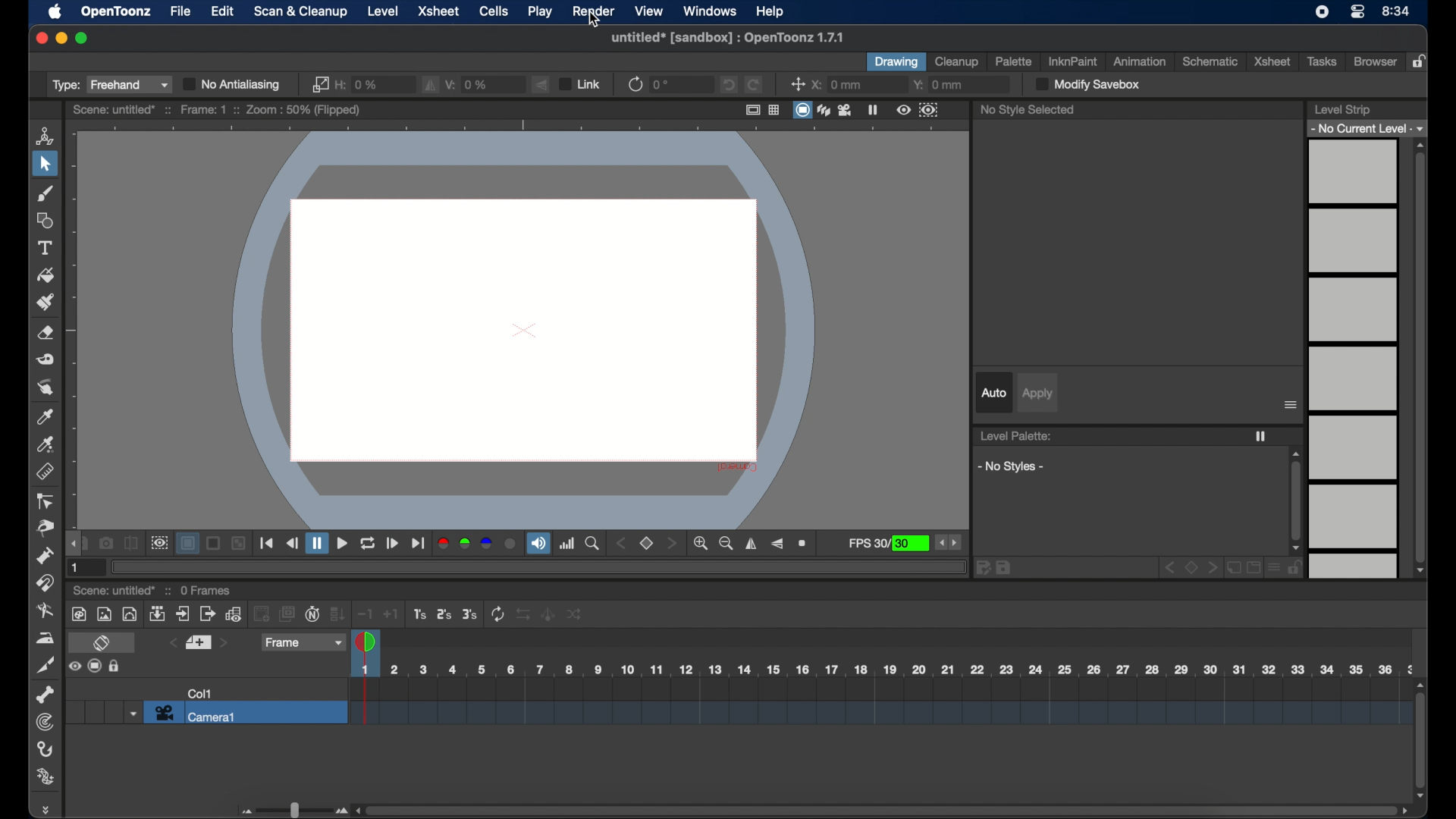 This screenshot has width=1456, height=819. I want to click on stepper buttons, so click(948, 542).